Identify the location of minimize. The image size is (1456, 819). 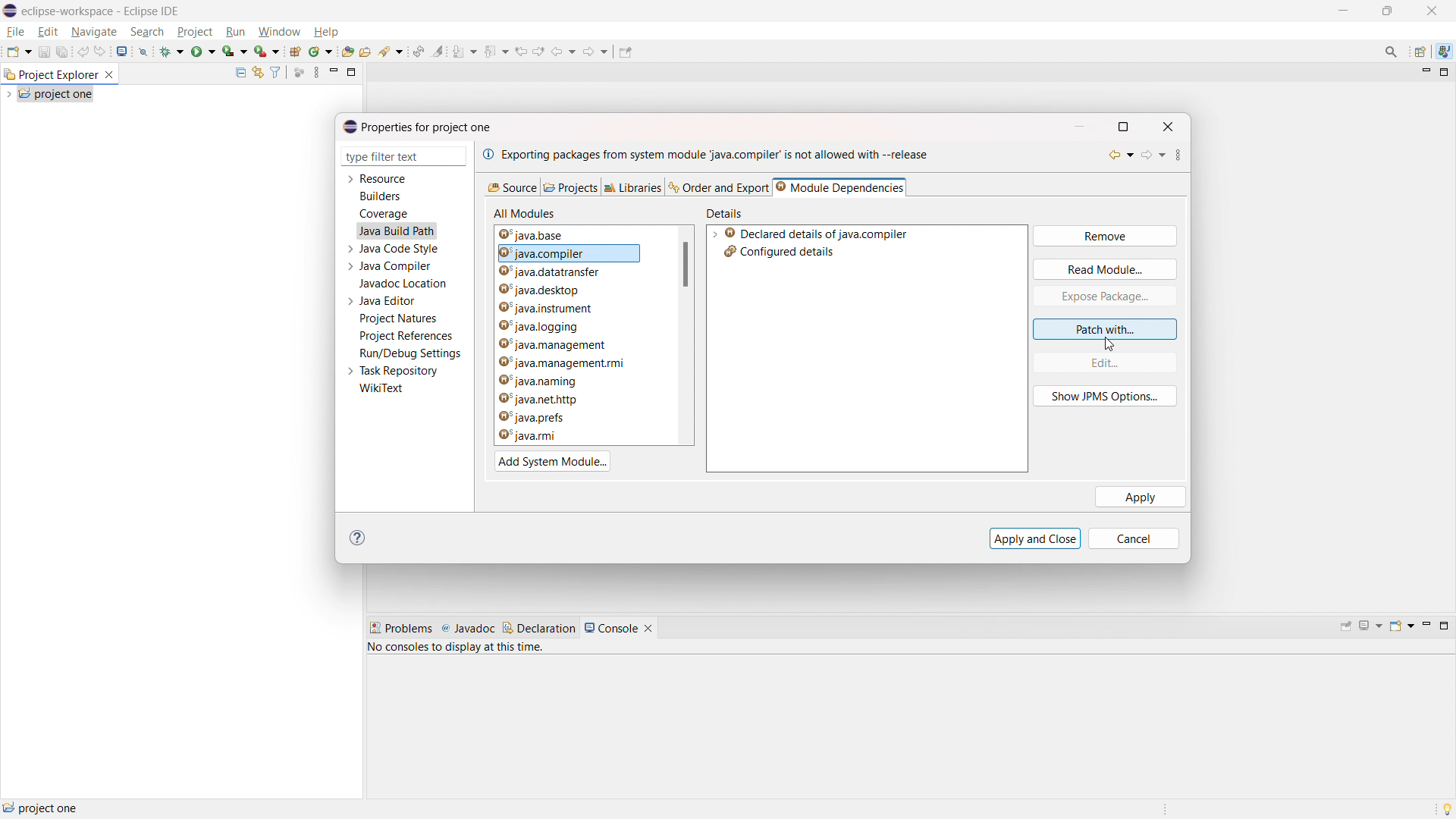
(1388, 11).